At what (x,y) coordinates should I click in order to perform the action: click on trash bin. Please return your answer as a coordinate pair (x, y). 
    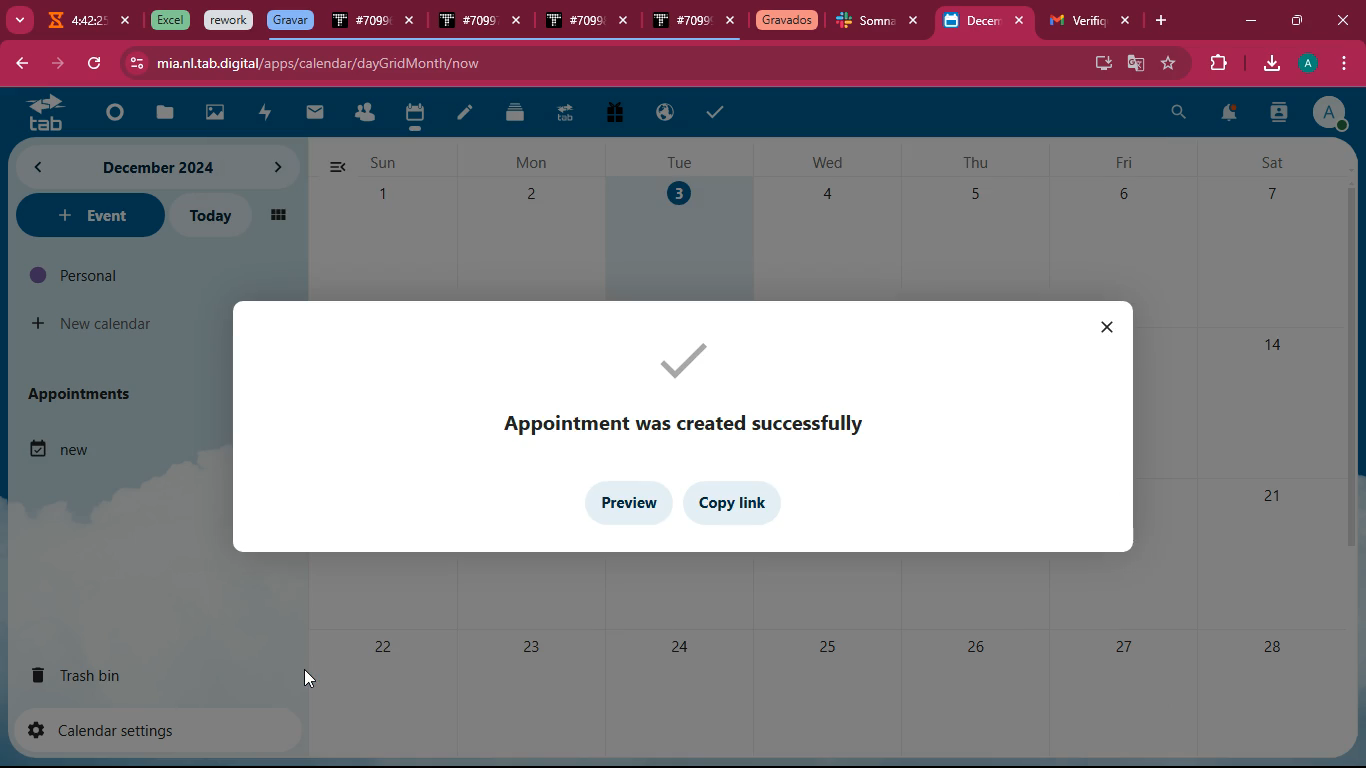
    Looking at the image, I should click on (96, 674).